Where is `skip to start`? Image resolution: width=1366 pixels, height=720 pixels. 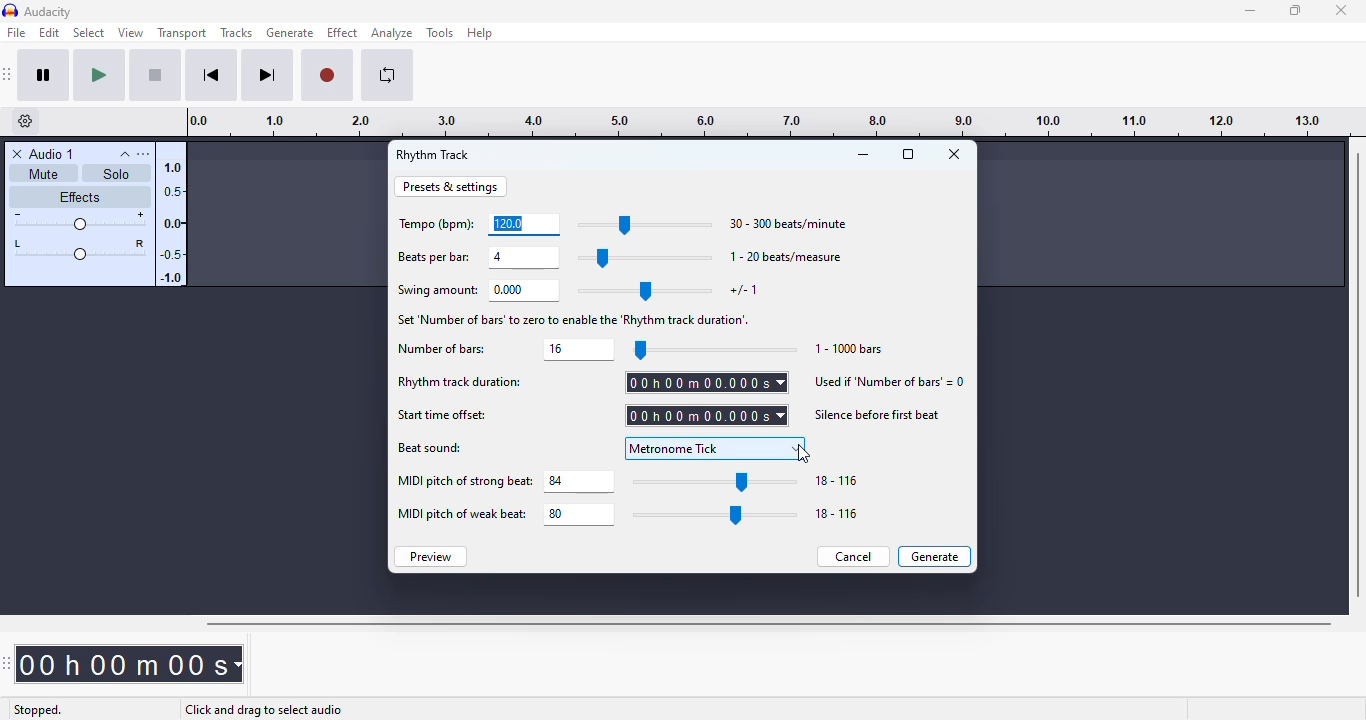
skip to start is located at coordinates (212, 75).